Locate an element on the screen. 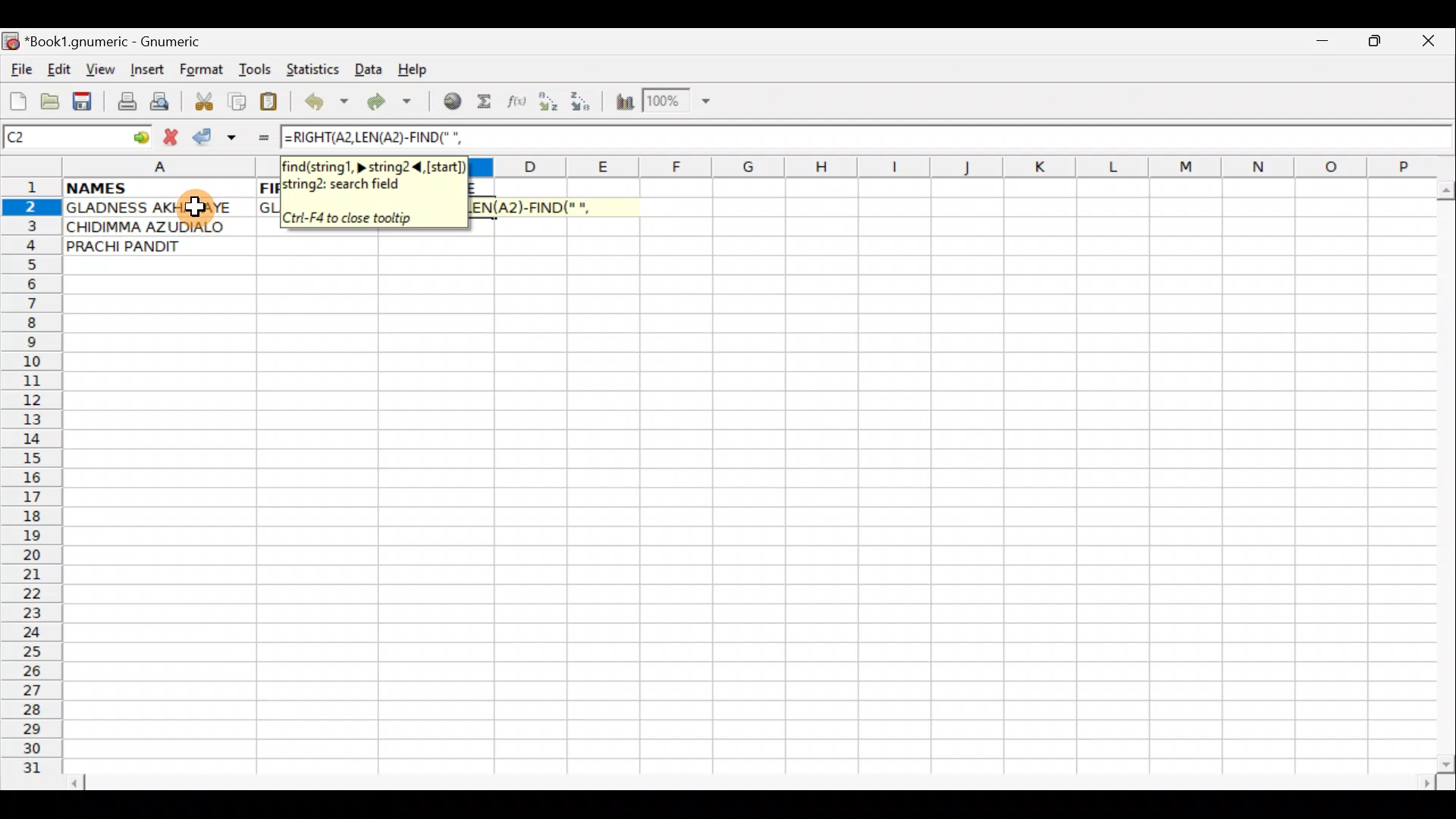 The height and width of the screenshot is (819, 1456). Edit is located at coordinates (58, 69).